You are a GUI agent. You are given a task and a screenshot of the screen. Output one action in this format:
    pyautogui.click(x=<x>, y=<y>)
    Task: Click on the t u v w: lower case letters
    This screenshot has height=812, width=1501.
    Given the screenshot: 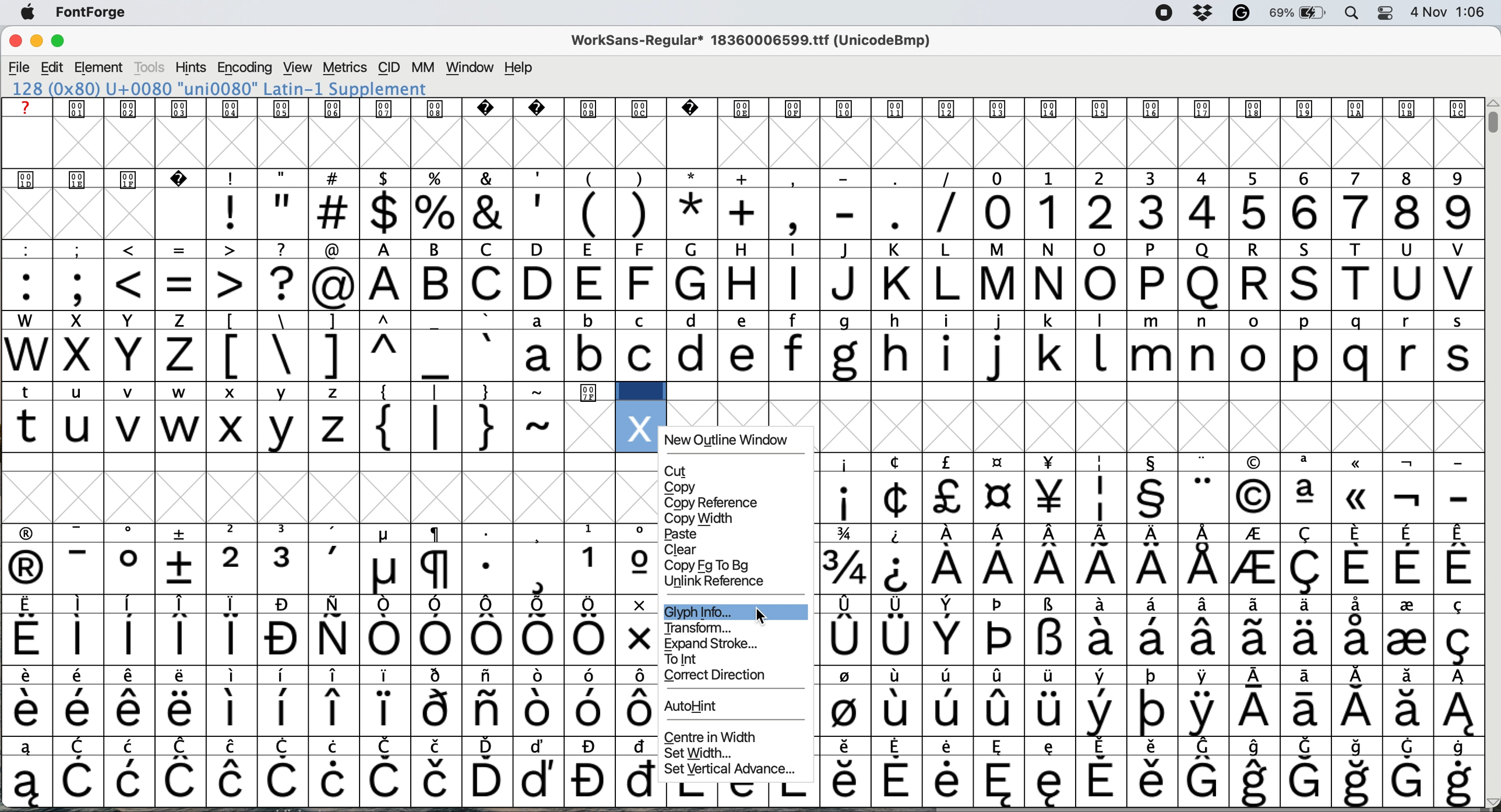 What is the action you would take?
    pyautogui.click(x=106, y=428)
    